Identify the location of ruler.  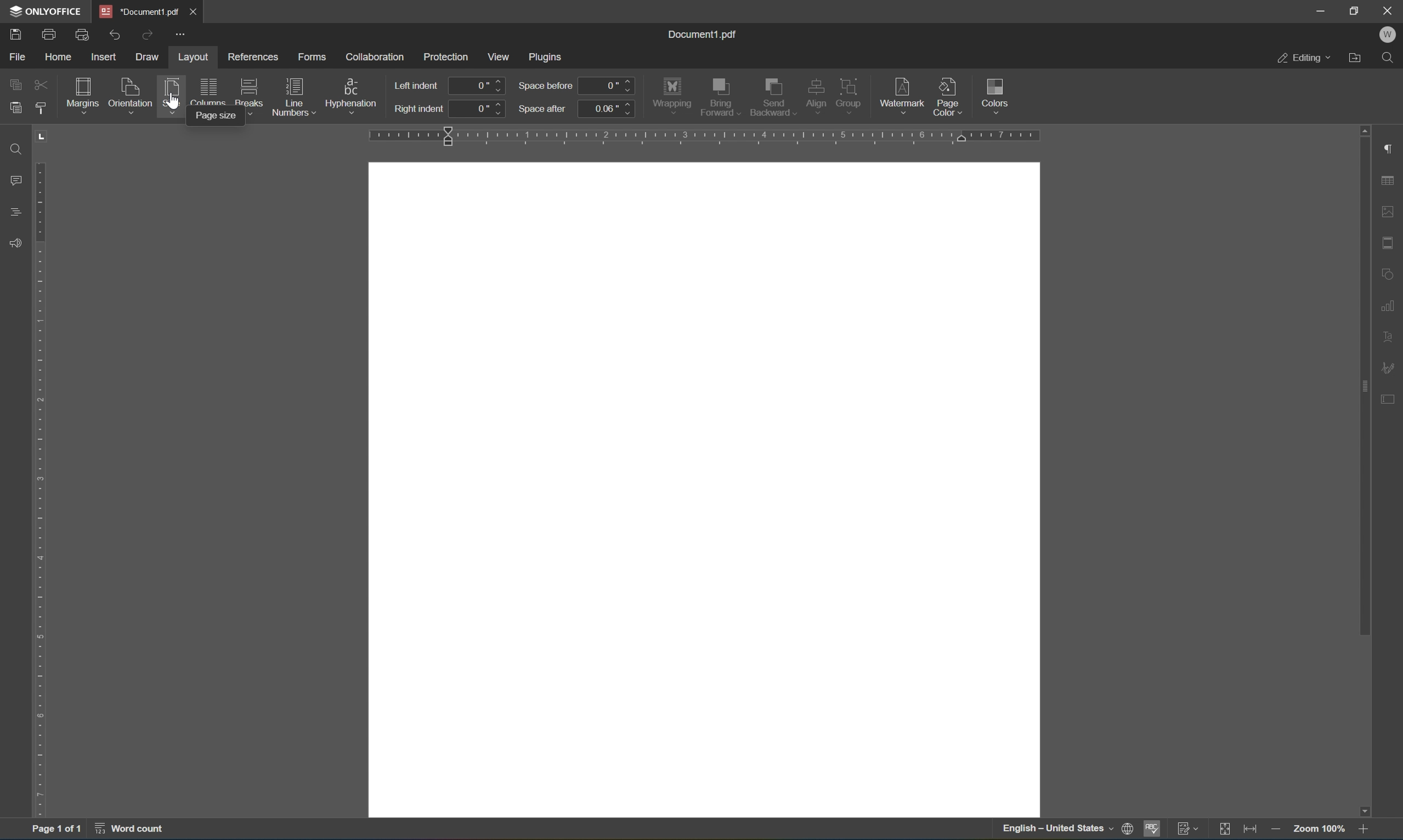
(40, 474).